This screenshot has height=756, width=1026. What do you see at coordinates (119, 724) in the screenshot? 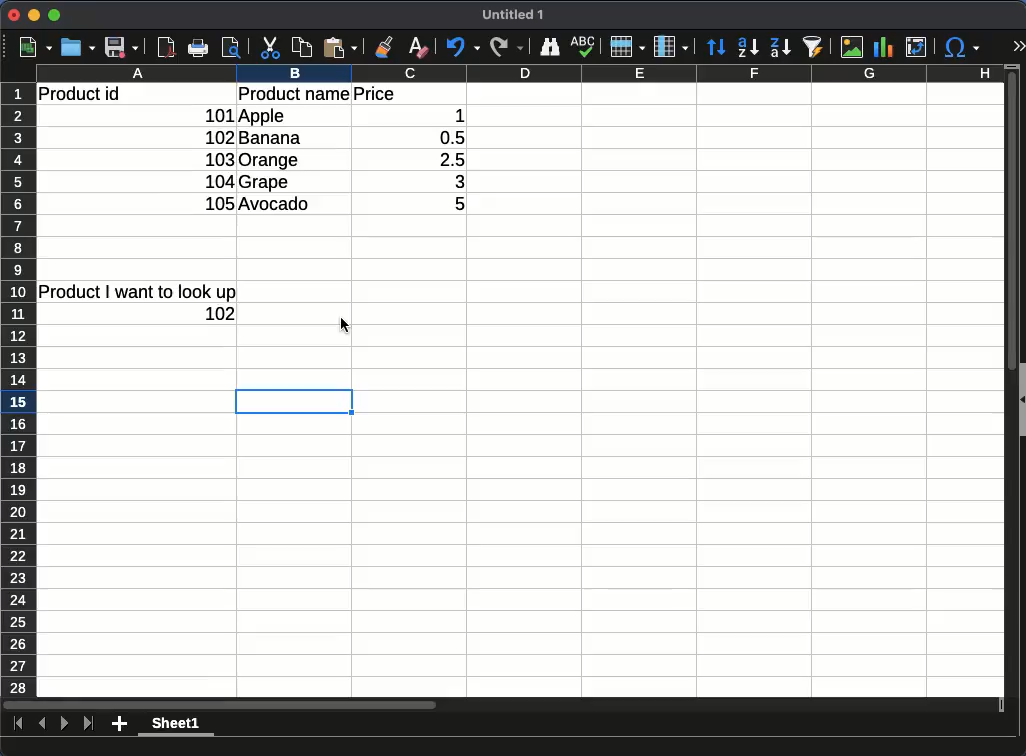
I see `add` at bounding box center [119, 724].